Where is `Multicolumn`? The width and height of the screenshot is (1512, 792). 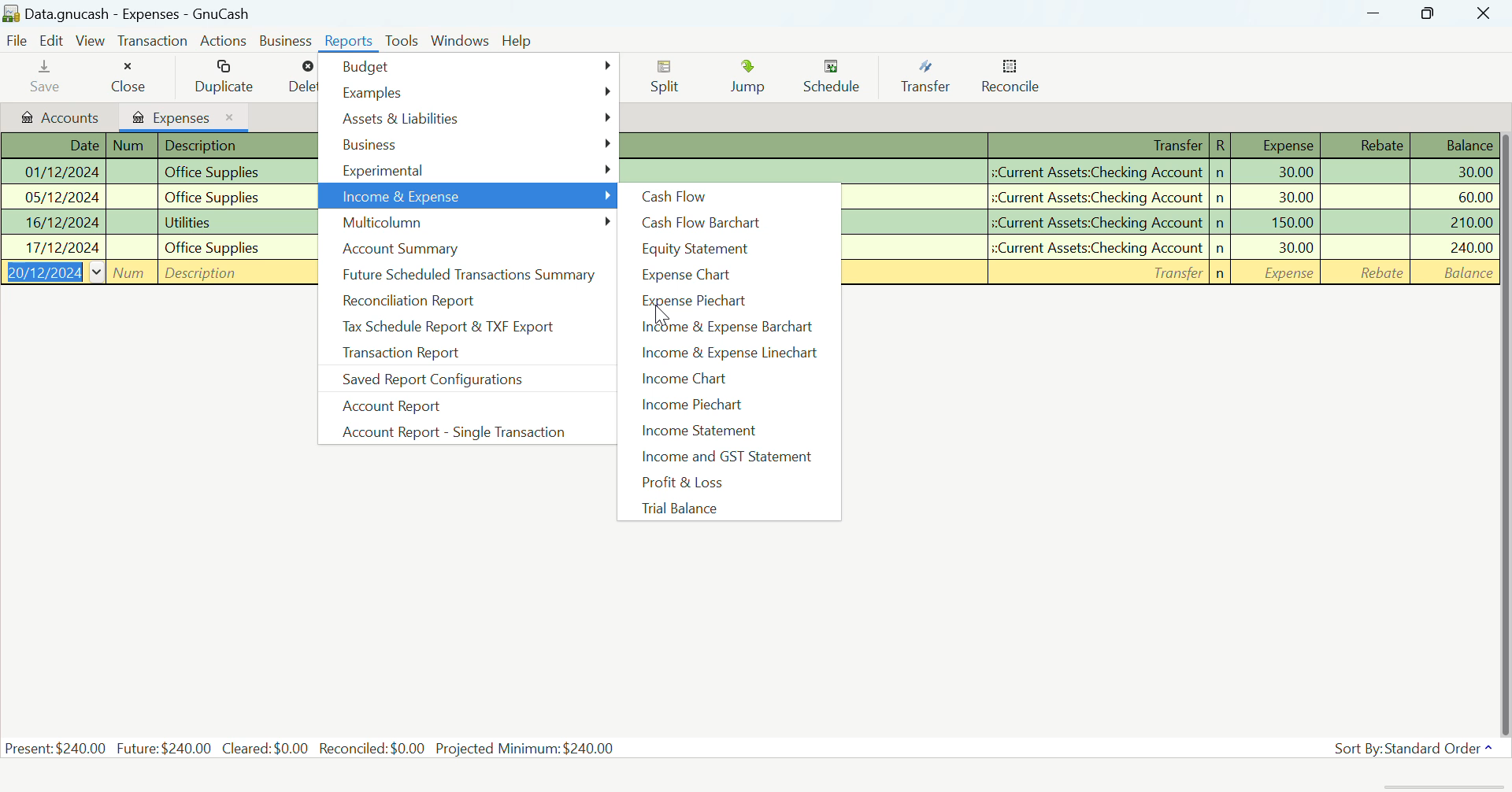 Multicolumn is located at coordinates (469, 224).